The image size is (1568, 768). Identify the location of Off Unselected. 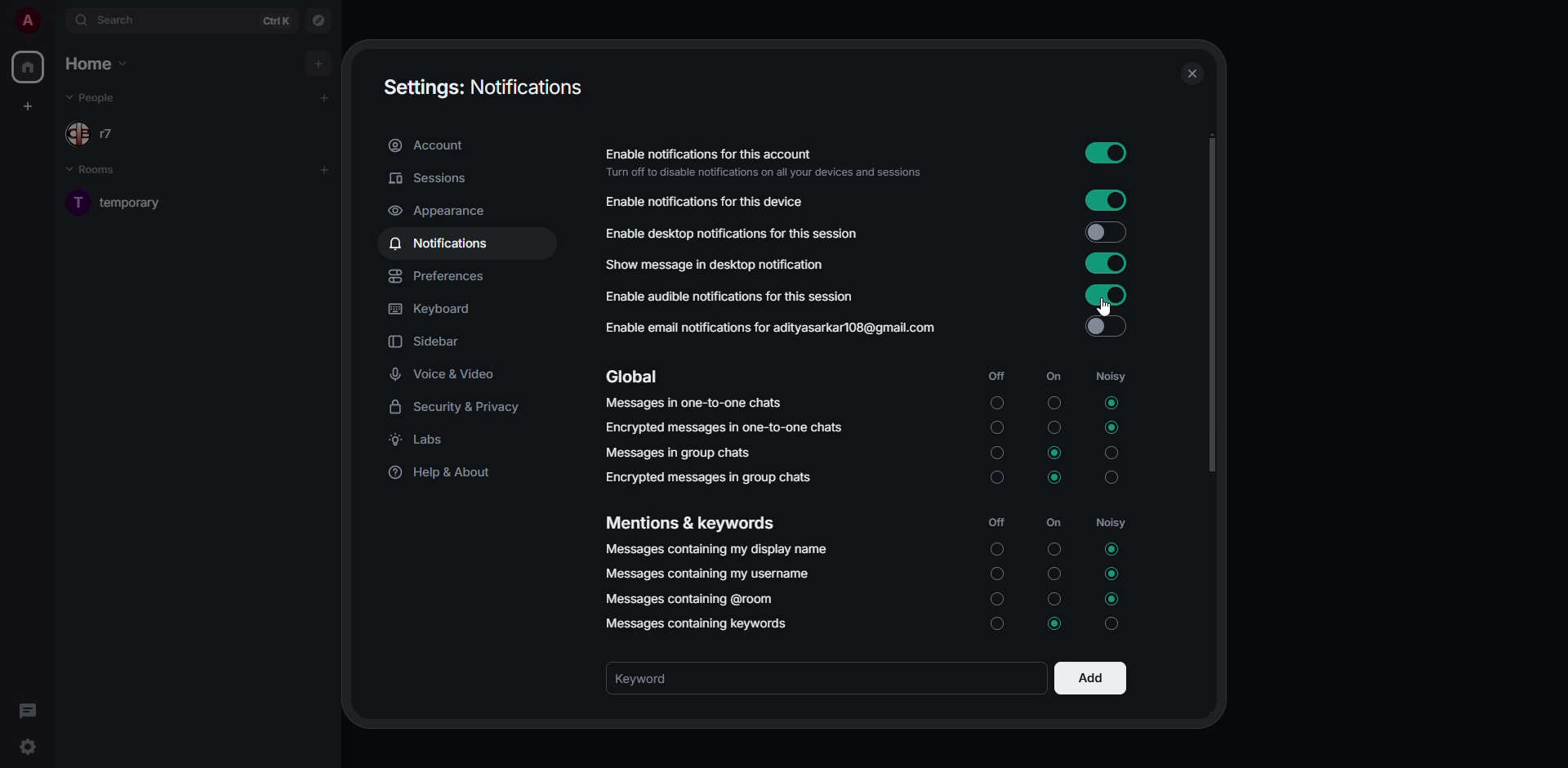
(998, 427).